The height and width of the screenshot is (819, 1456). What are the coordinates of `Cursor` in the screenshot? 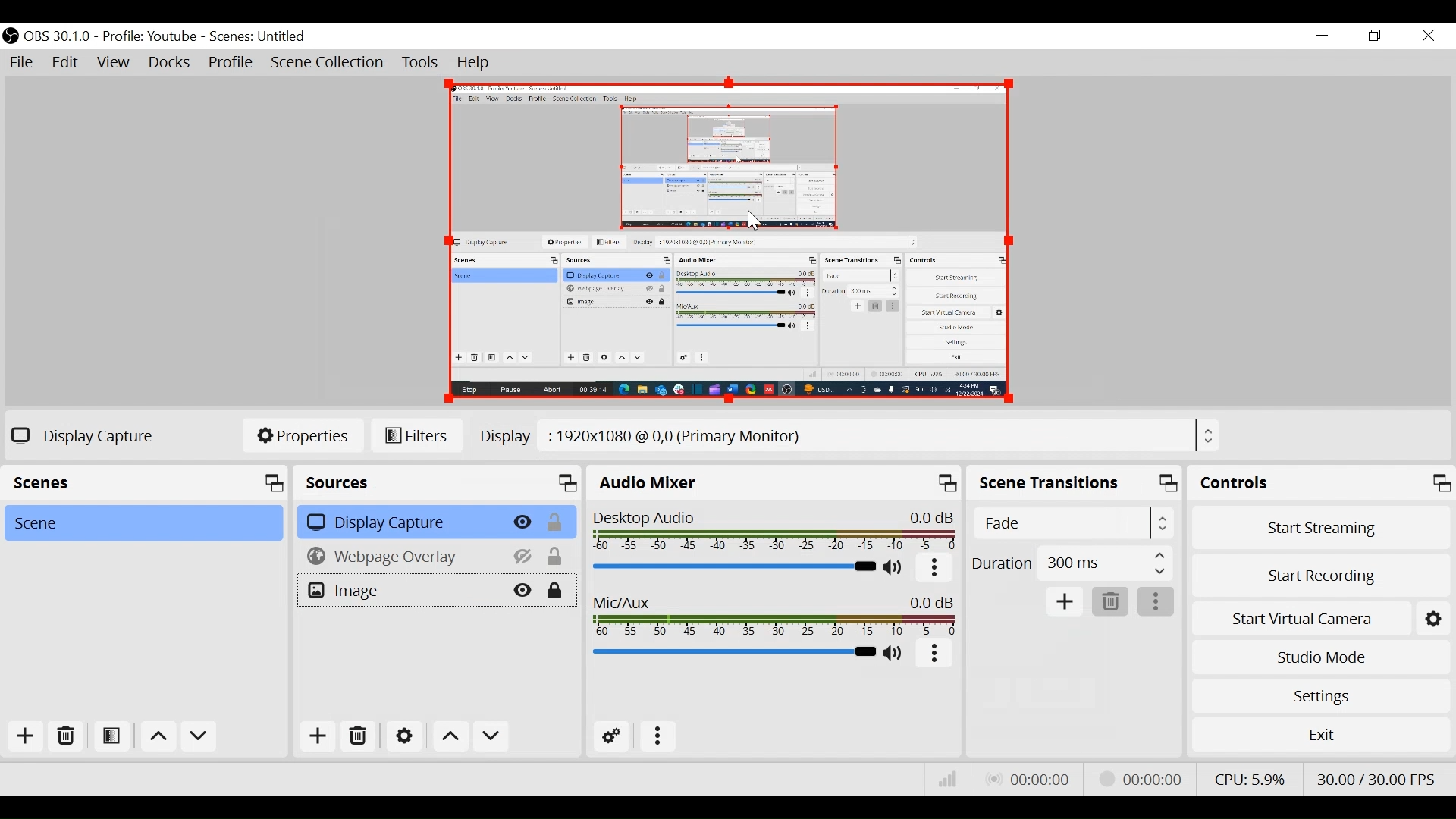 It's located at (752, 218).